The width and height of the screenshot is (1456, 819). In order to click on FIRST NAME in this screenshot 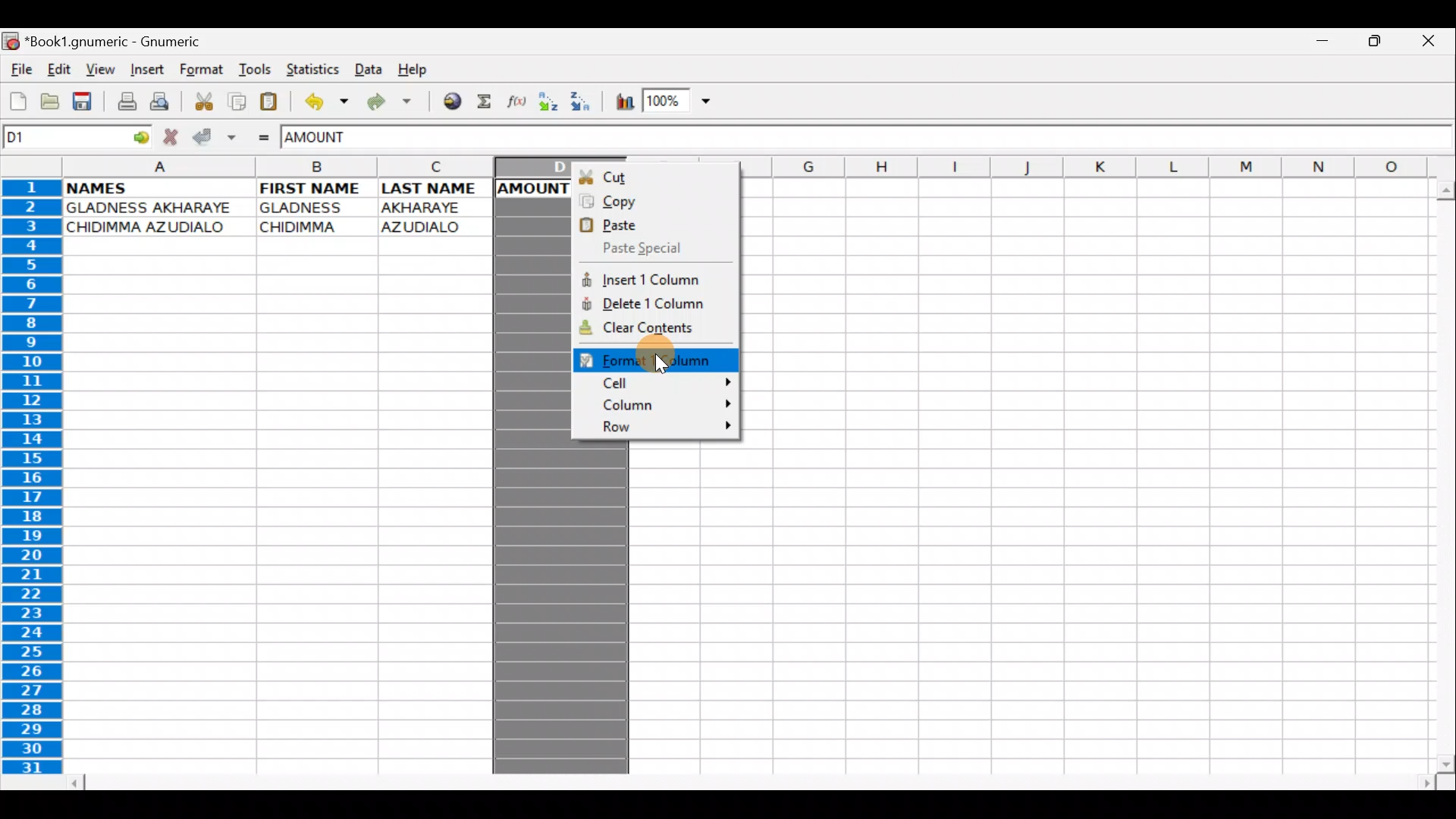, I will do `click(313, 188)`.